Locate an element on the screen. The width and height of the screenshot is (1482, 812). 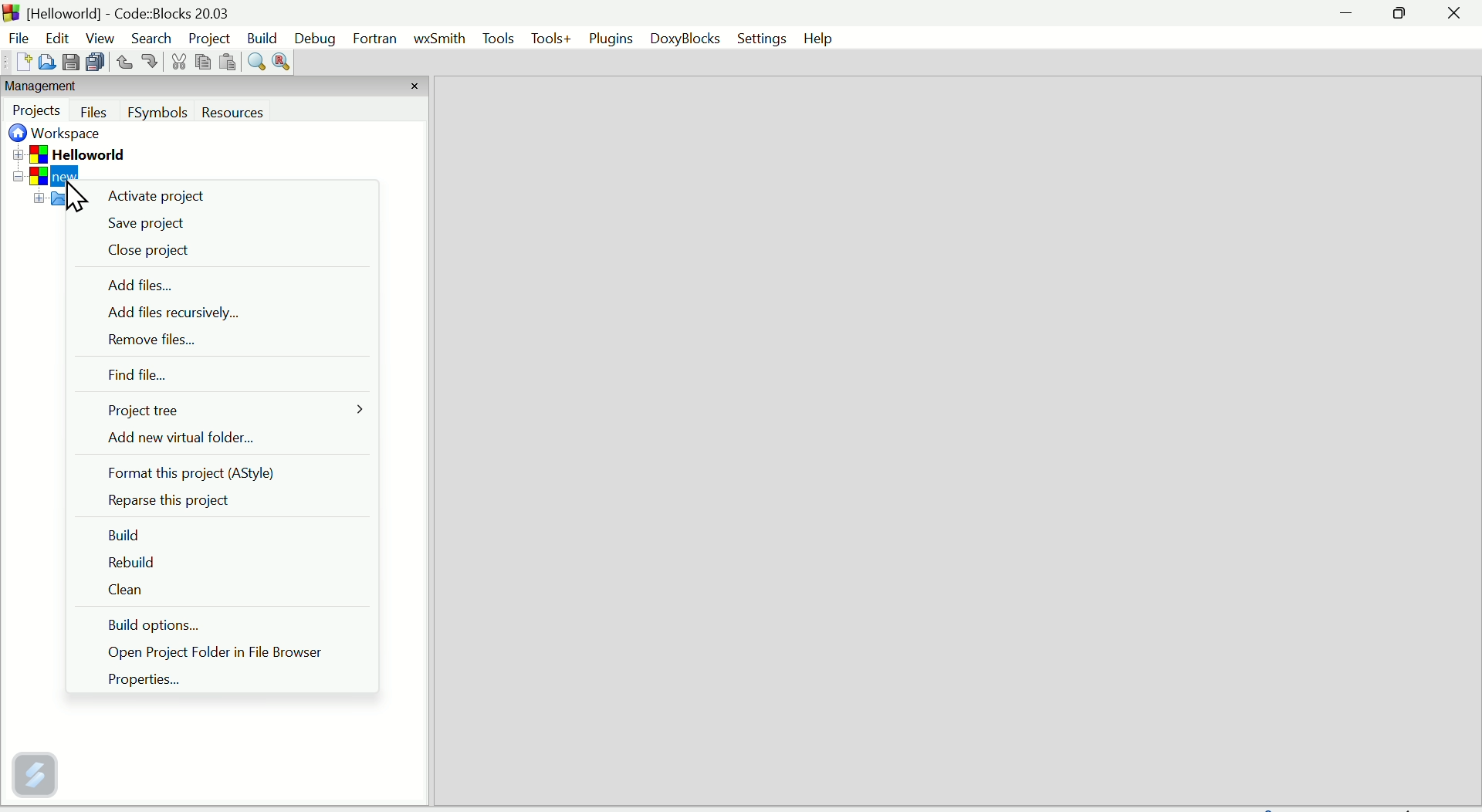
Projects is located at coordinates (38, 111).